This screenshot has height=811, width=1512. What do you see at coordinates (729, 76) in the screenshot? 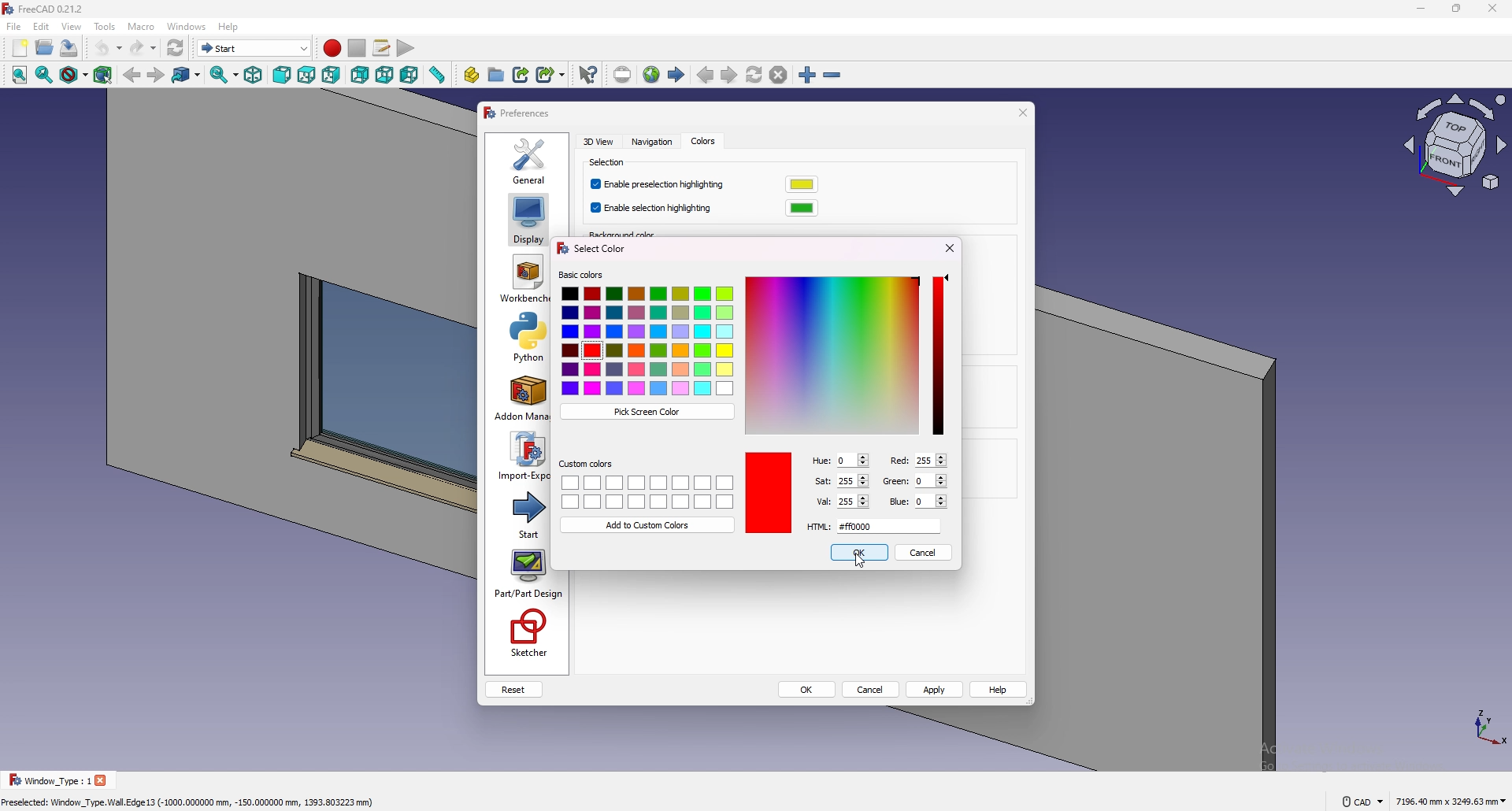
I see `next page` at bounding box center [729, 76].